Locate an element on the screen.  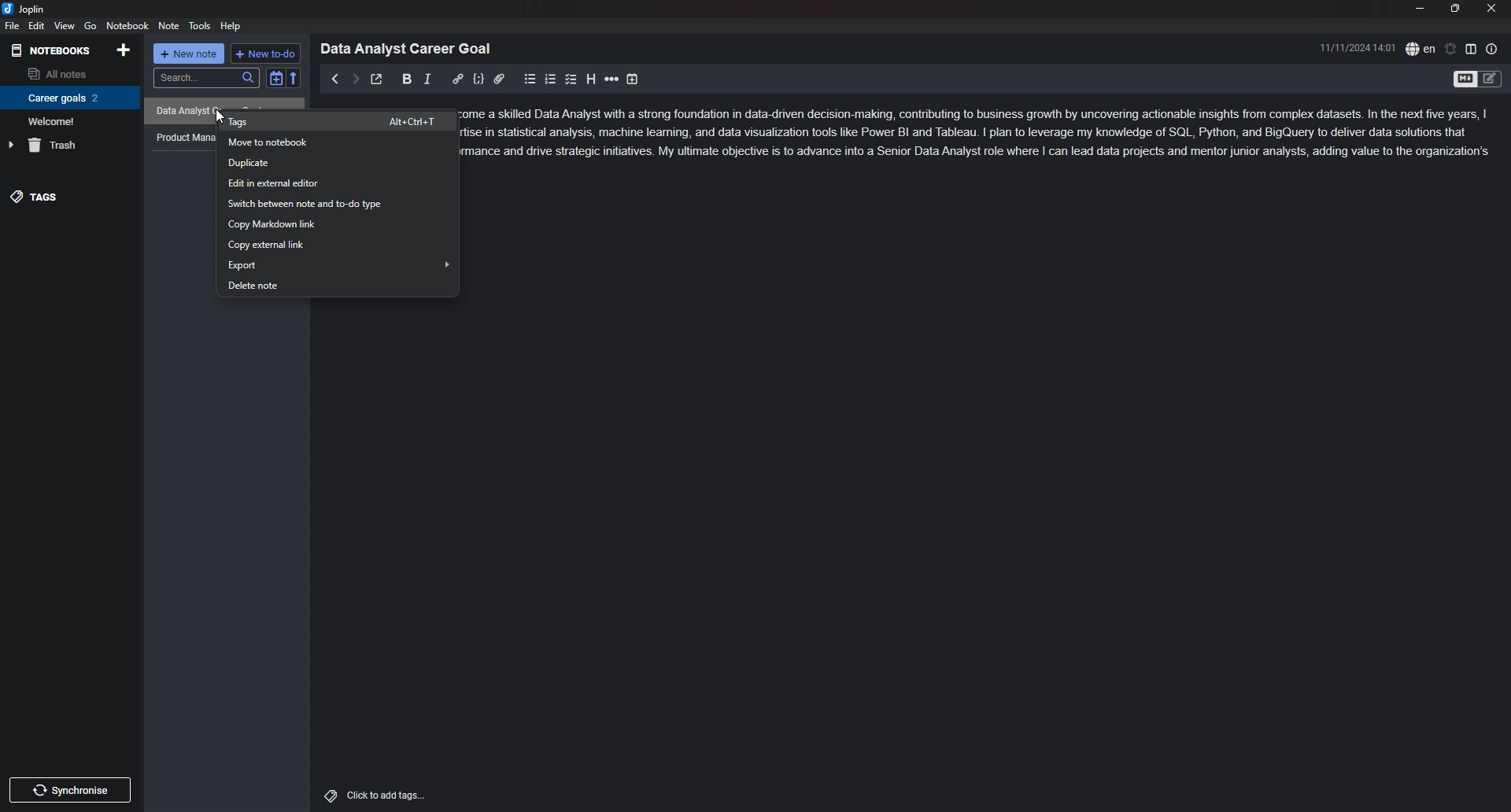
close is located at coordinates (1491, 8).